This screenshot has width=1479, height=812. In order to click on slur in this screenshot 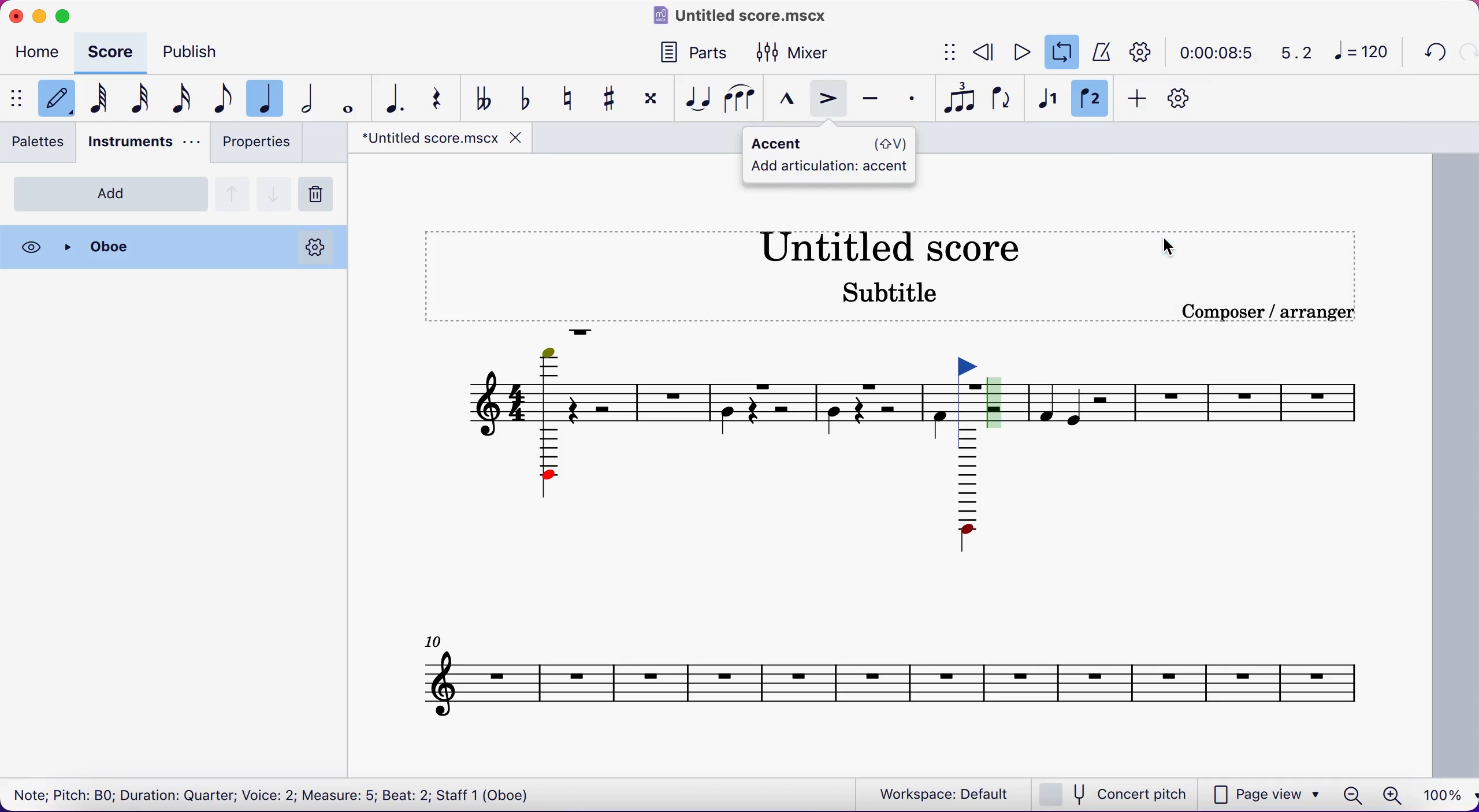, I will do `click(741, 99)`.